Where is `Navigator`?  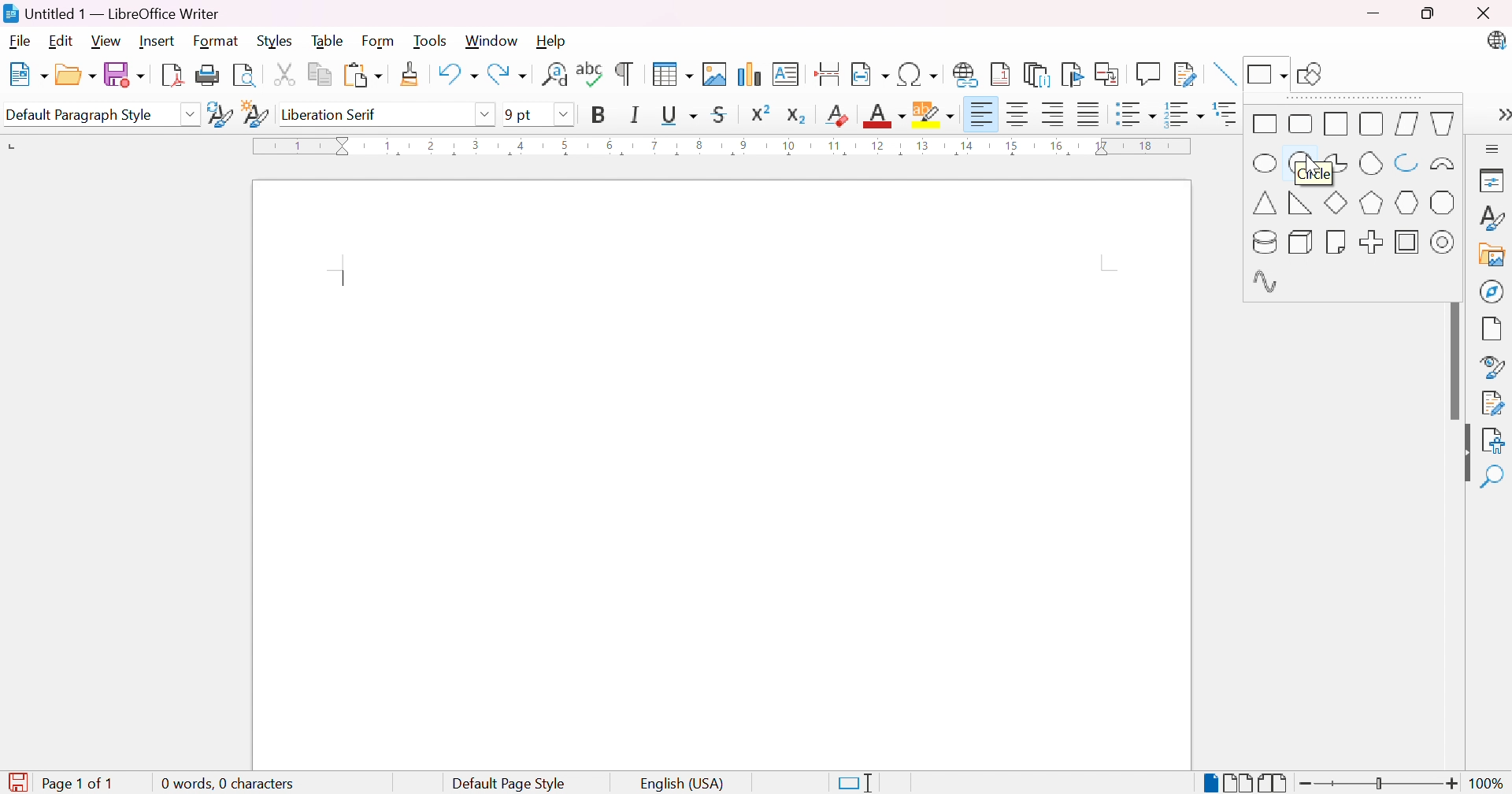 Navigator is located at coordinates (1492, 291).